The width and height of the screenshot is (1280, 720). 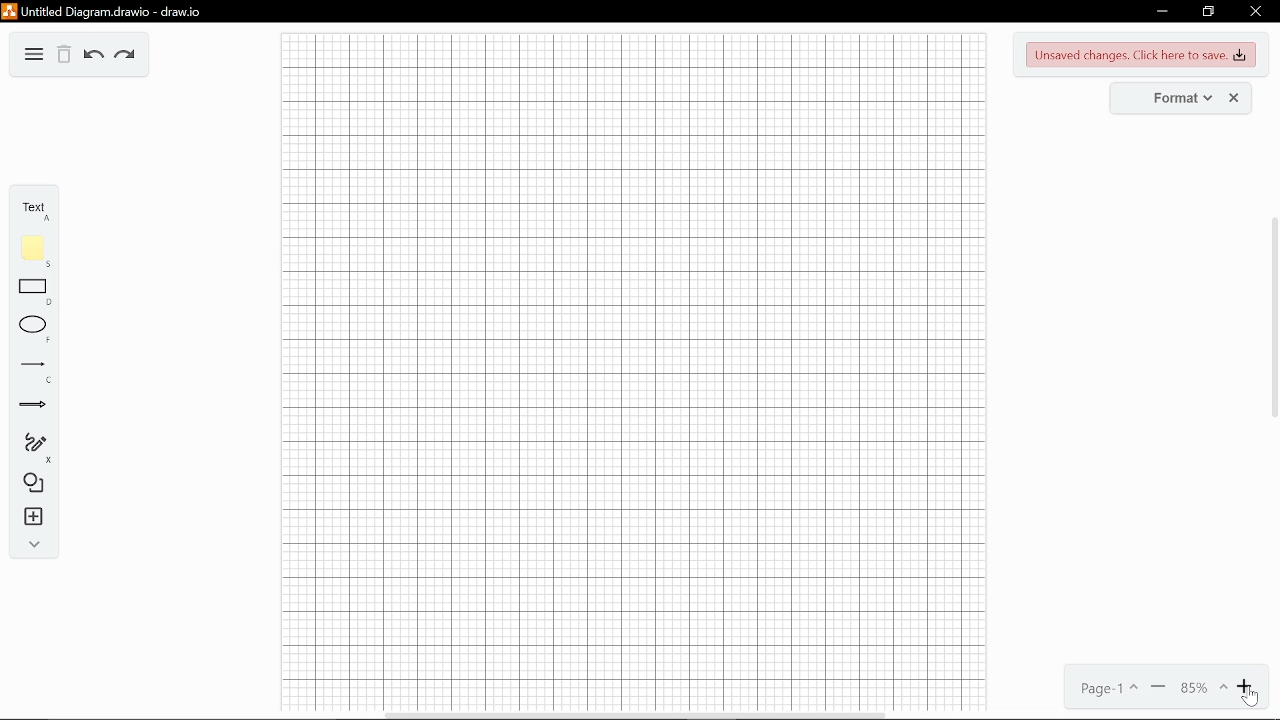 I want to click on ellipse, so click(x=27, y=330).